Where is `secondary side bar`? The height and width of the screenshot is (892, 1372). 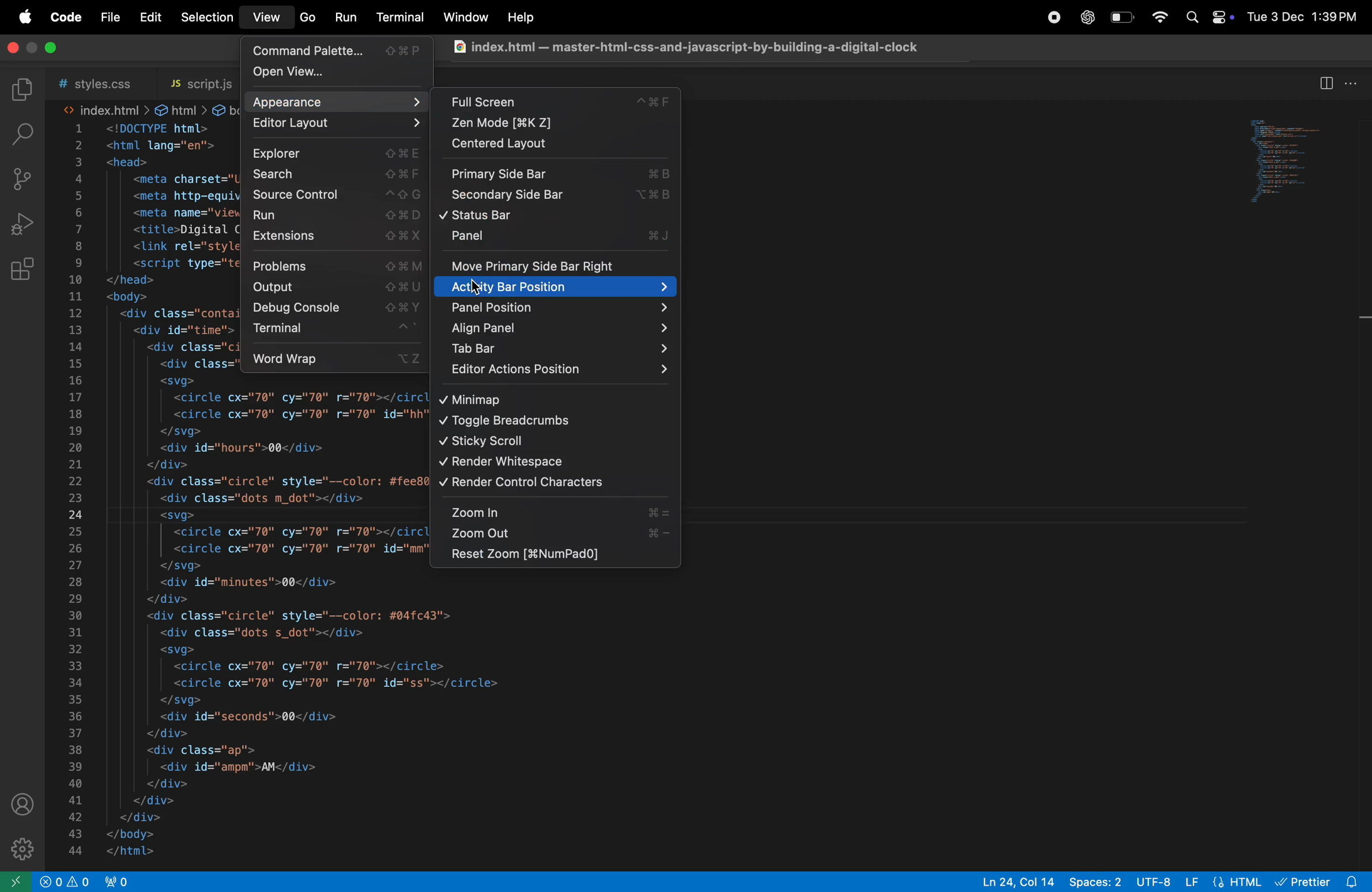 secondary side bar is located at coordinates (555, 198).